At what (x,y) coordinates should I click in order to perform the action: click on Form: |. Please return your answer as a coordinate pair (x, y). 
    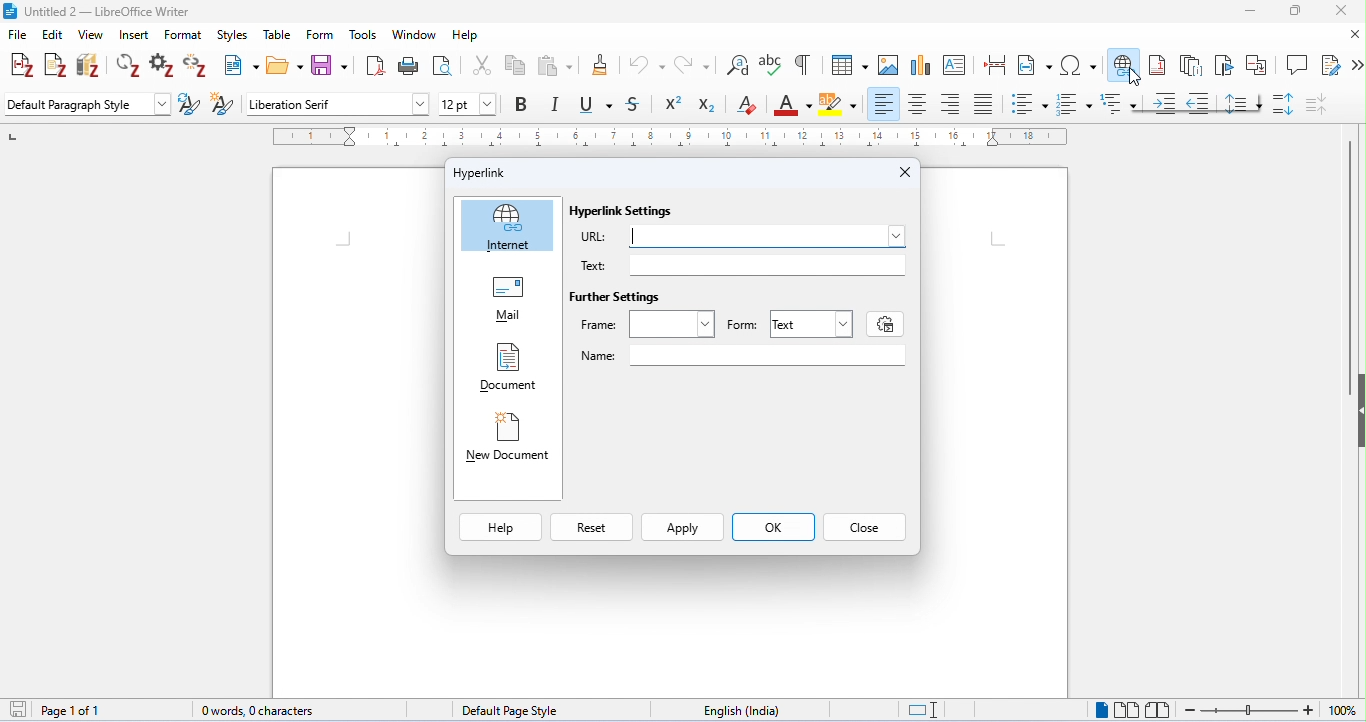
    Looking at the image, I should click on (742, 322).